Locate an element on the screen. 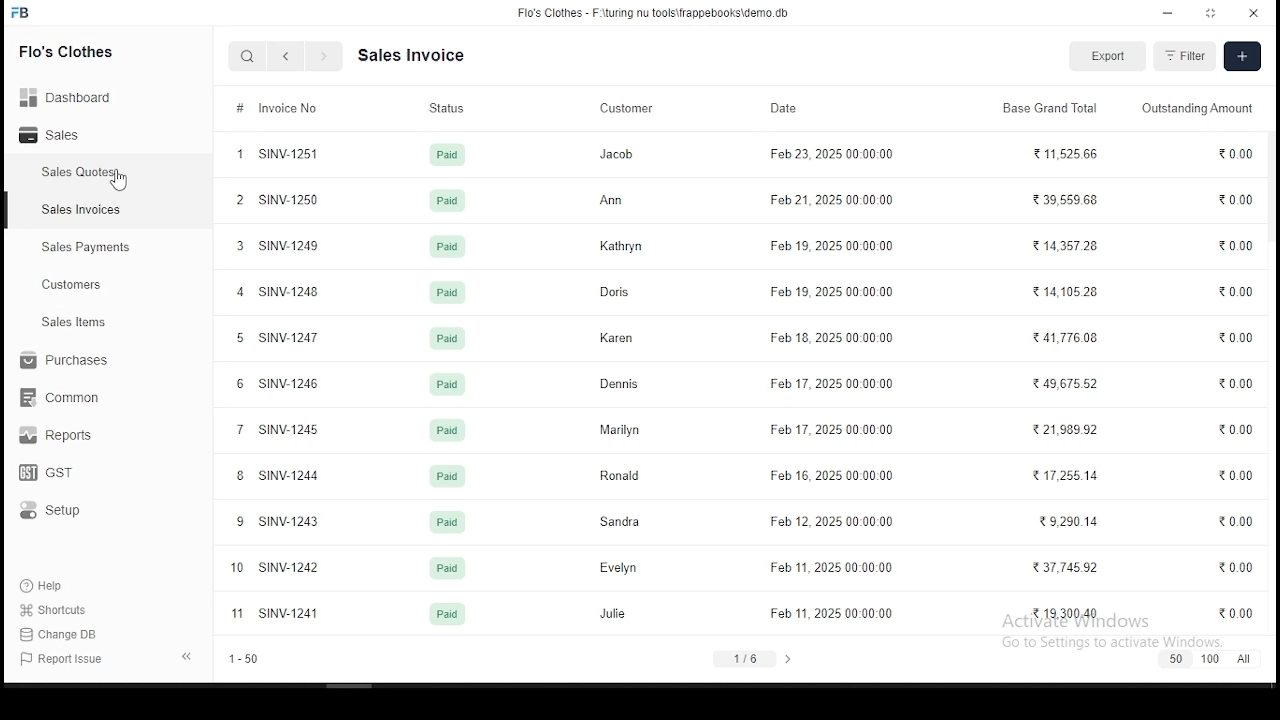 The height and width of the screenshot is (720, 1280). setup is located at coordinates (66, 511).